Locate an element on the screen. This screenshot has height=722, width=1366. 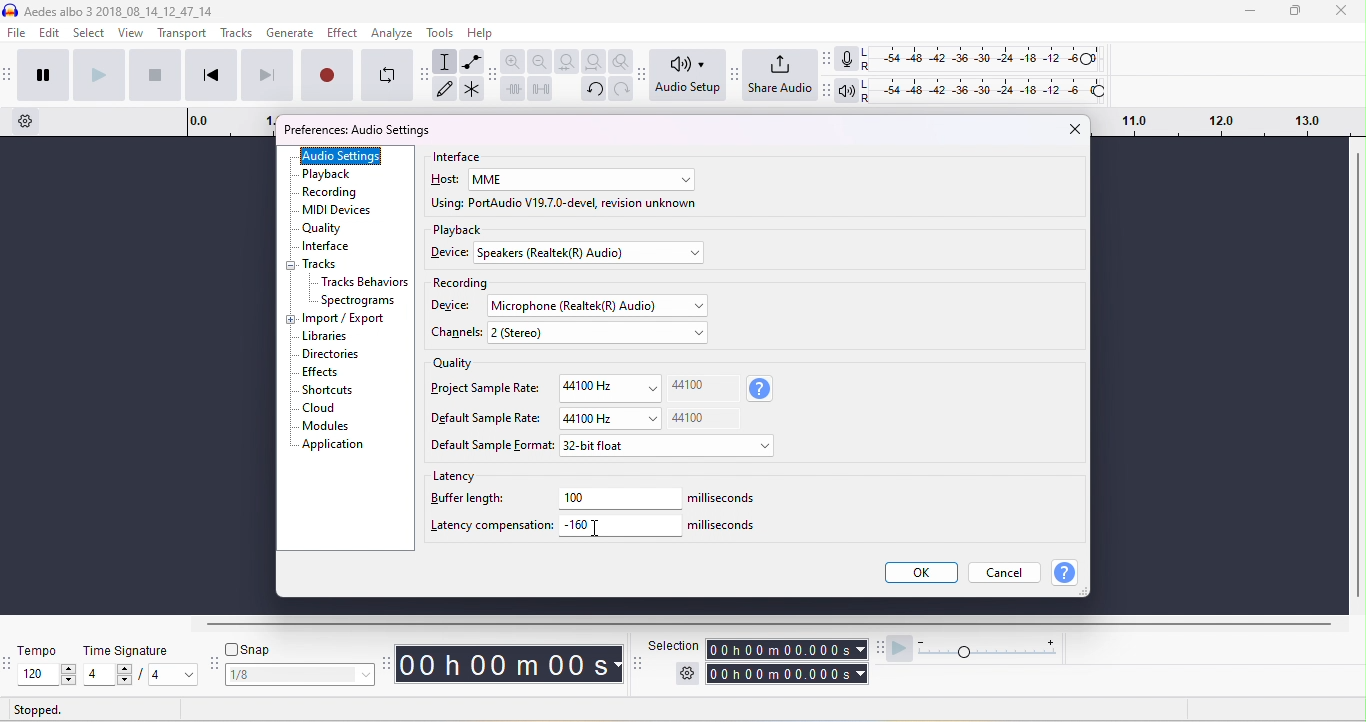
stop is located at coordinates (154, 74).